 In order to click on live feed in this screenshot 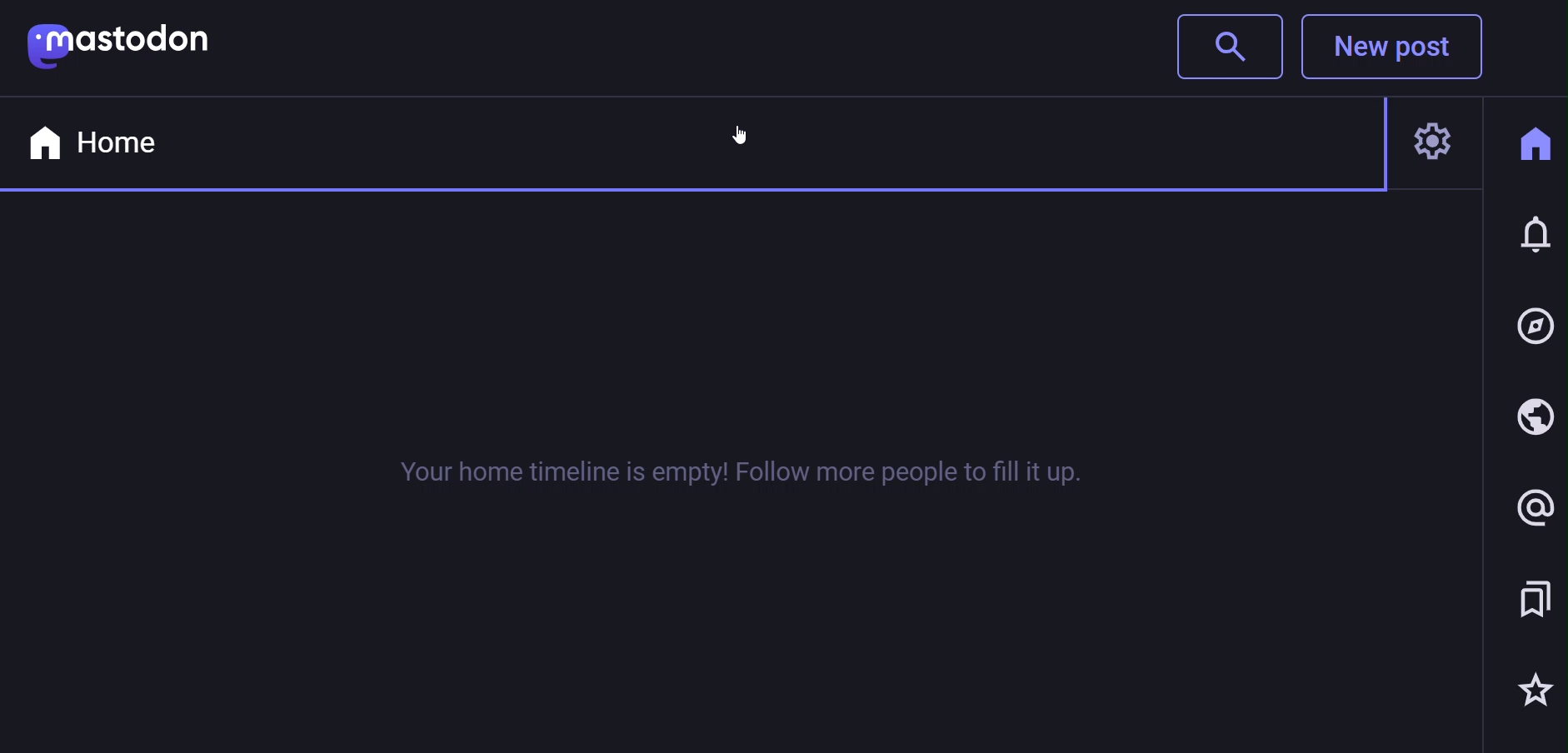, I will do `click(1531, 420)`.